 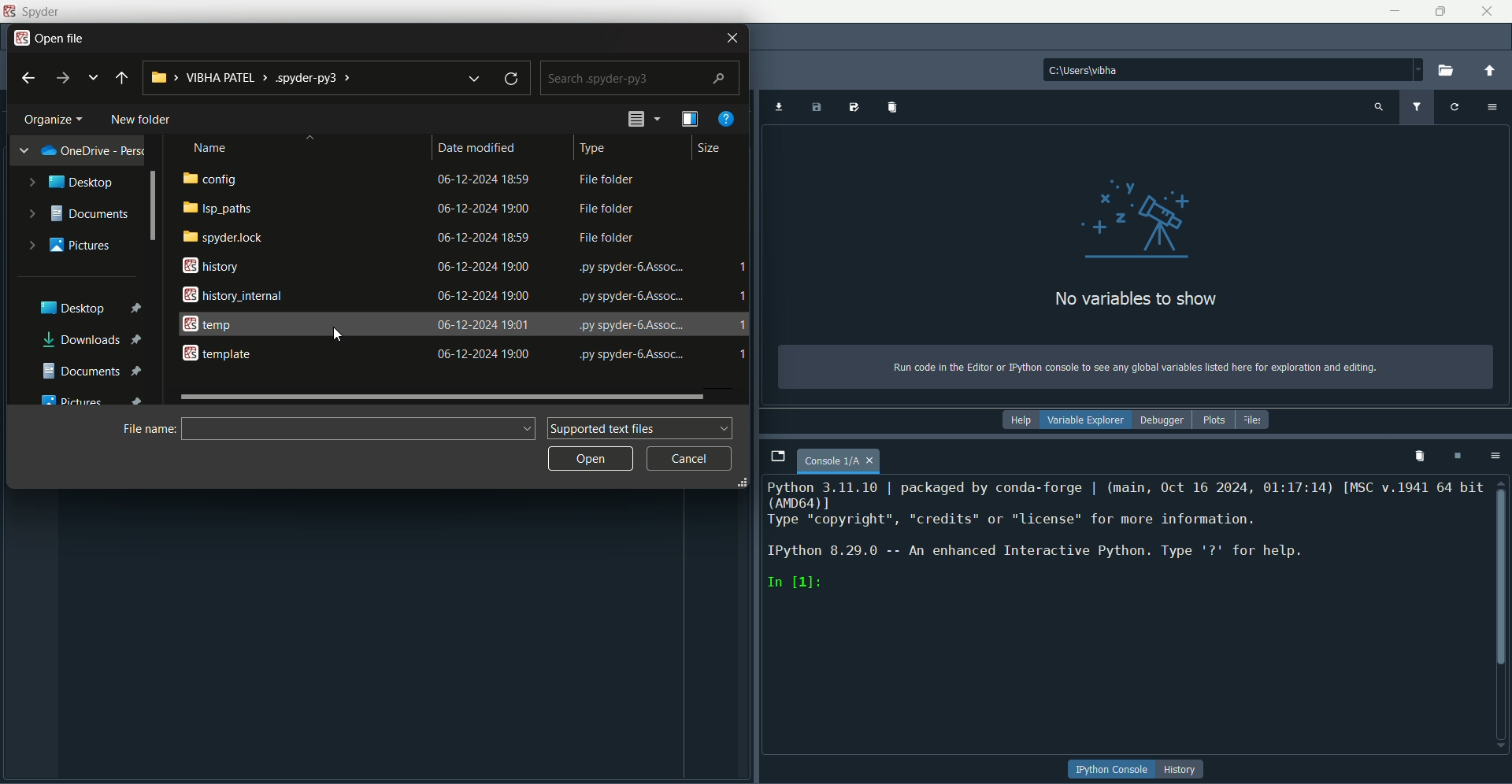 I want to click on refresh, so click(x=513, y=77).